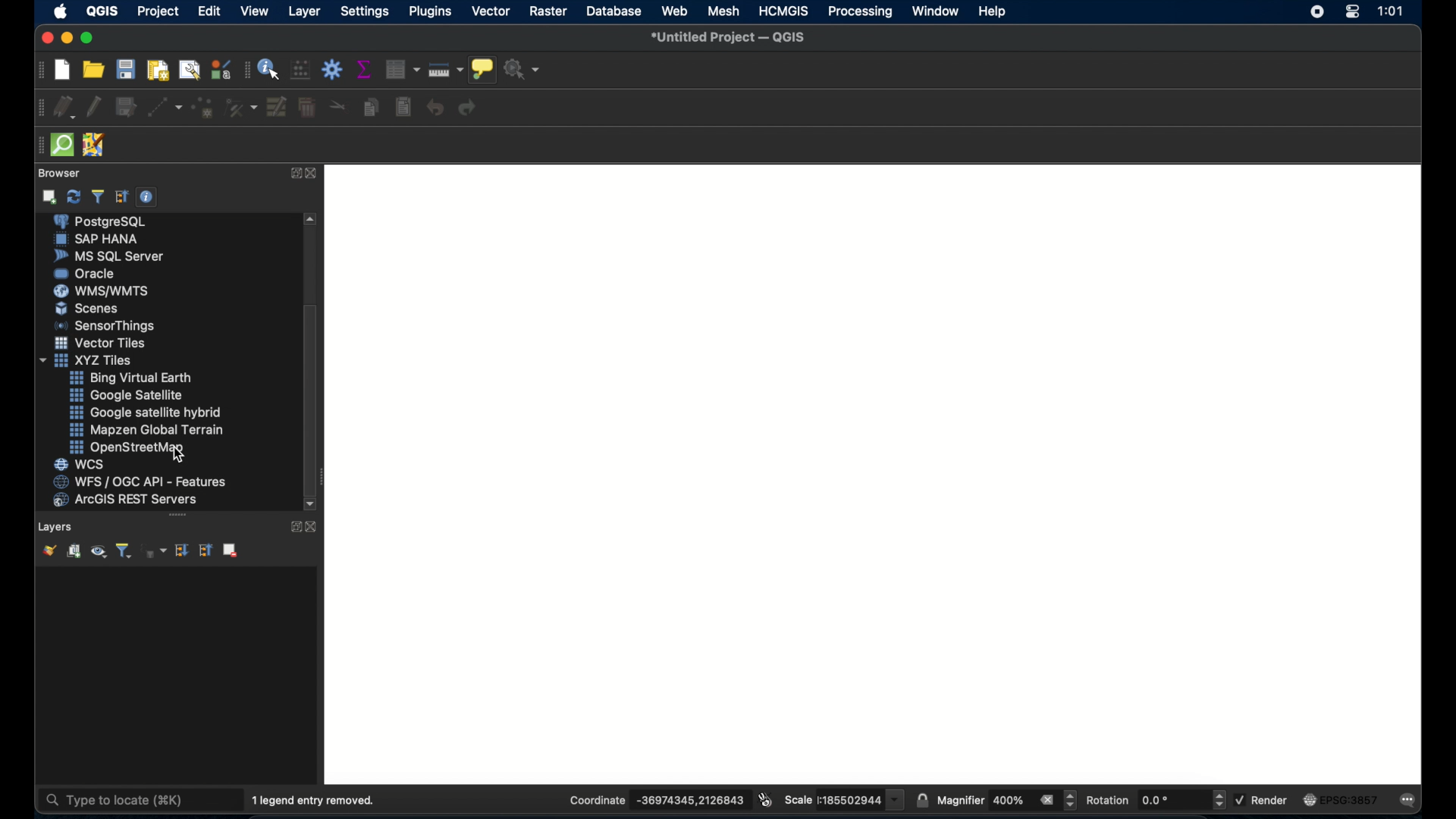 The image size is (1456, 819). I want to click on oracle, so click(86, 275).